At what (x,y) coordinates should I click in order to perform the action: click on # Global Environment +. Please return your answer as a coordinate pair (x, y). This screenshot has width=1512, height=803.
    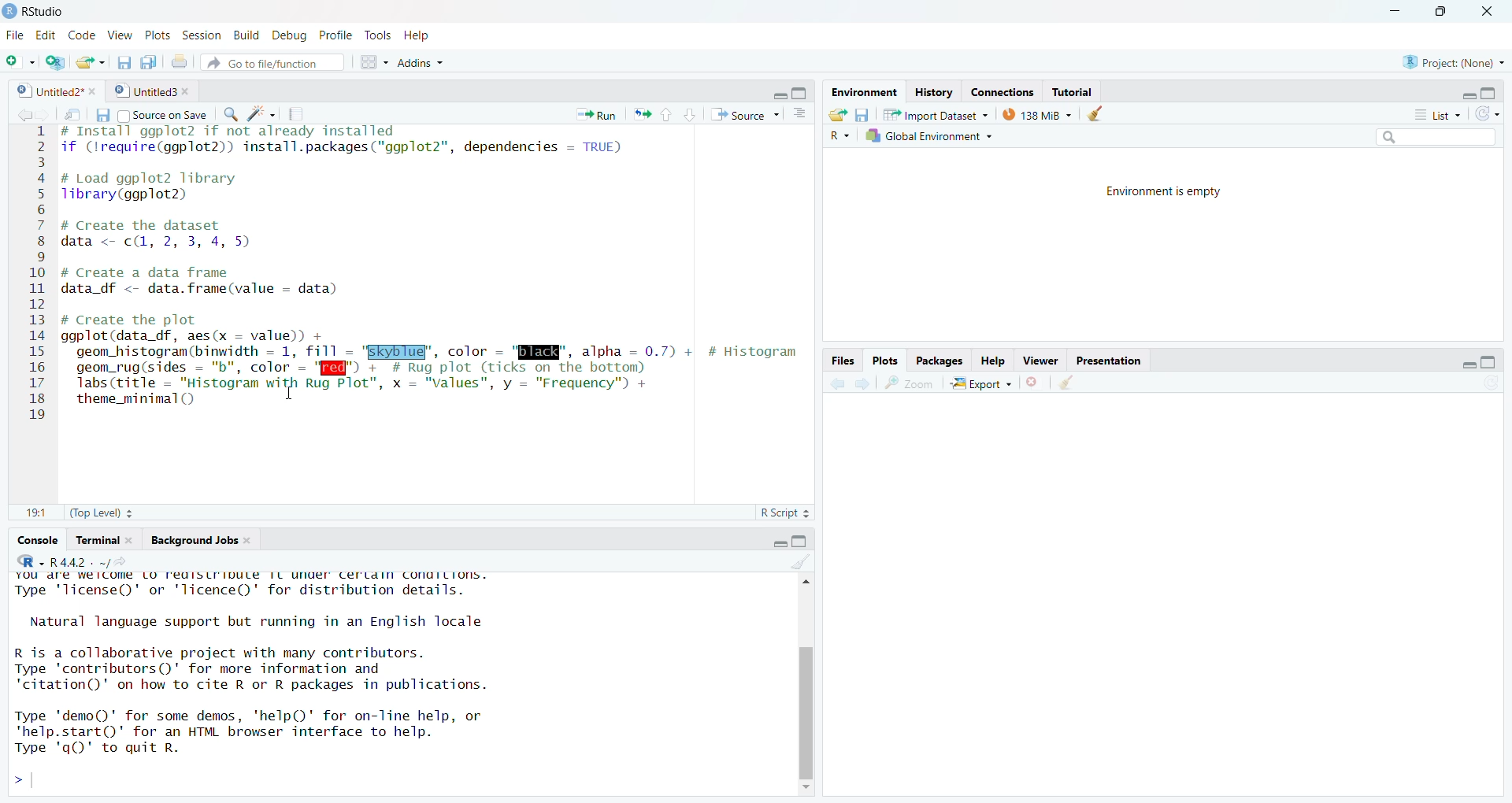
    Looking at the image, I should click on (928, 134).